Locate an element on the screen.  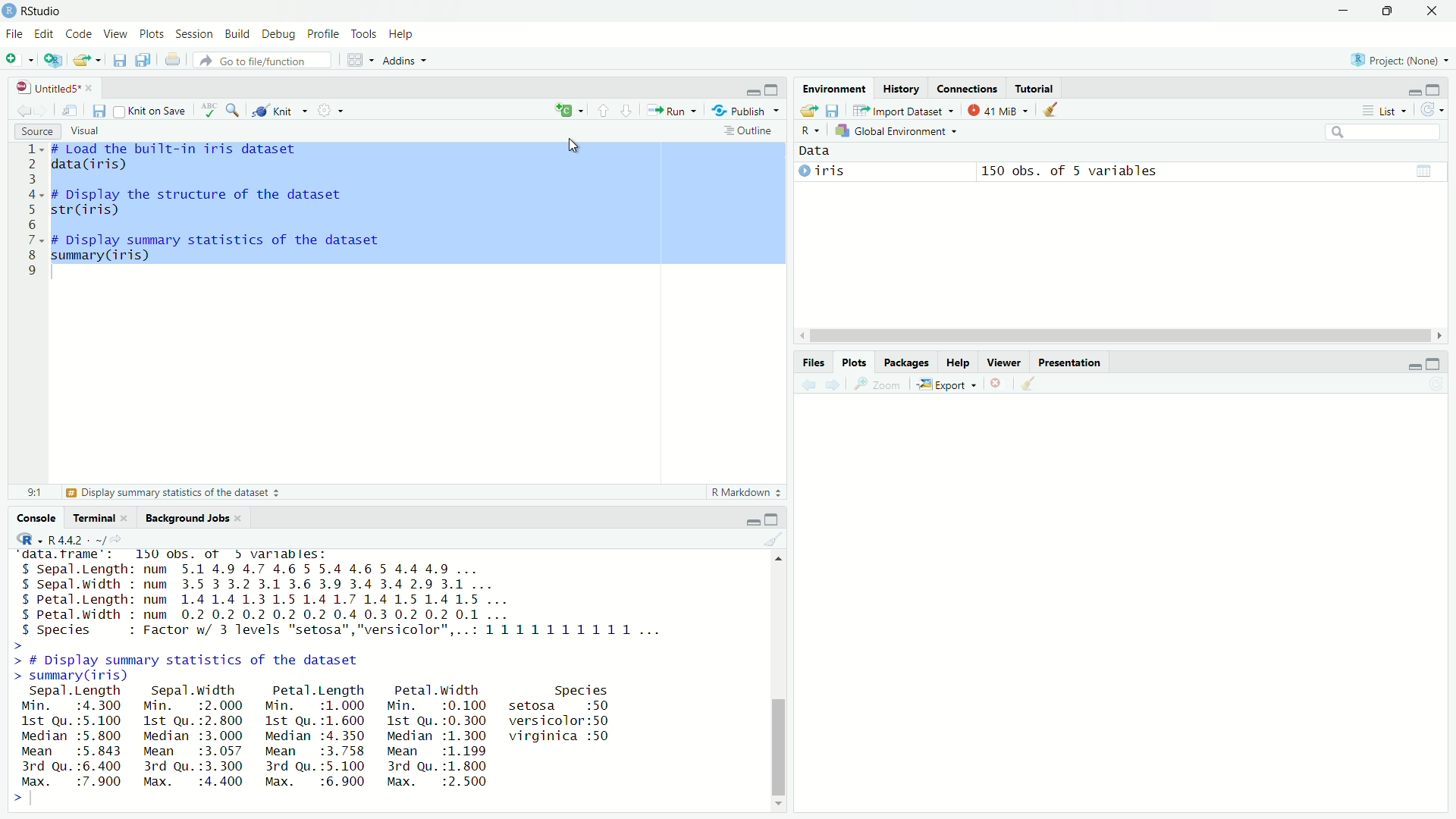
Code is located at coordinates (78, 34).